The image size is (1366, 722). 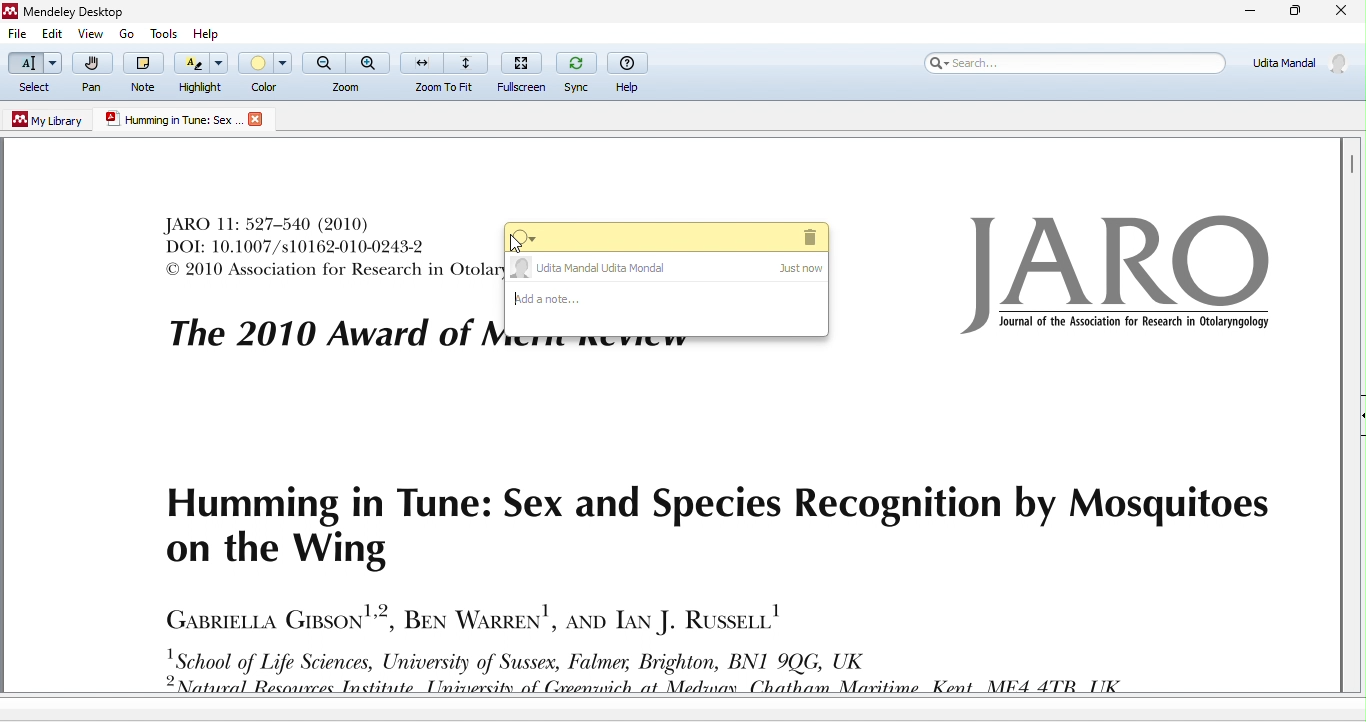 I want to click on view, so click(x=91, y=34).